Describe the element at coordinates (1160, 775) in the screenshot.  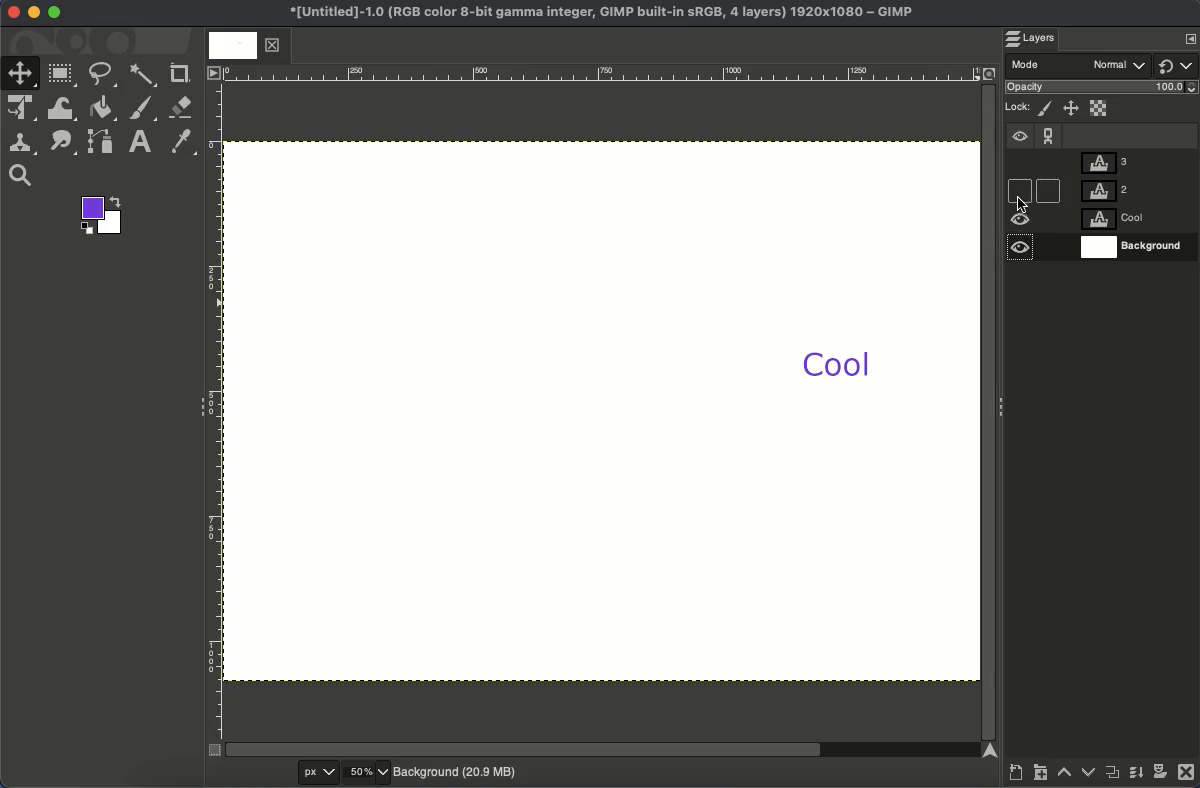
I see `Add a mask` at that location.